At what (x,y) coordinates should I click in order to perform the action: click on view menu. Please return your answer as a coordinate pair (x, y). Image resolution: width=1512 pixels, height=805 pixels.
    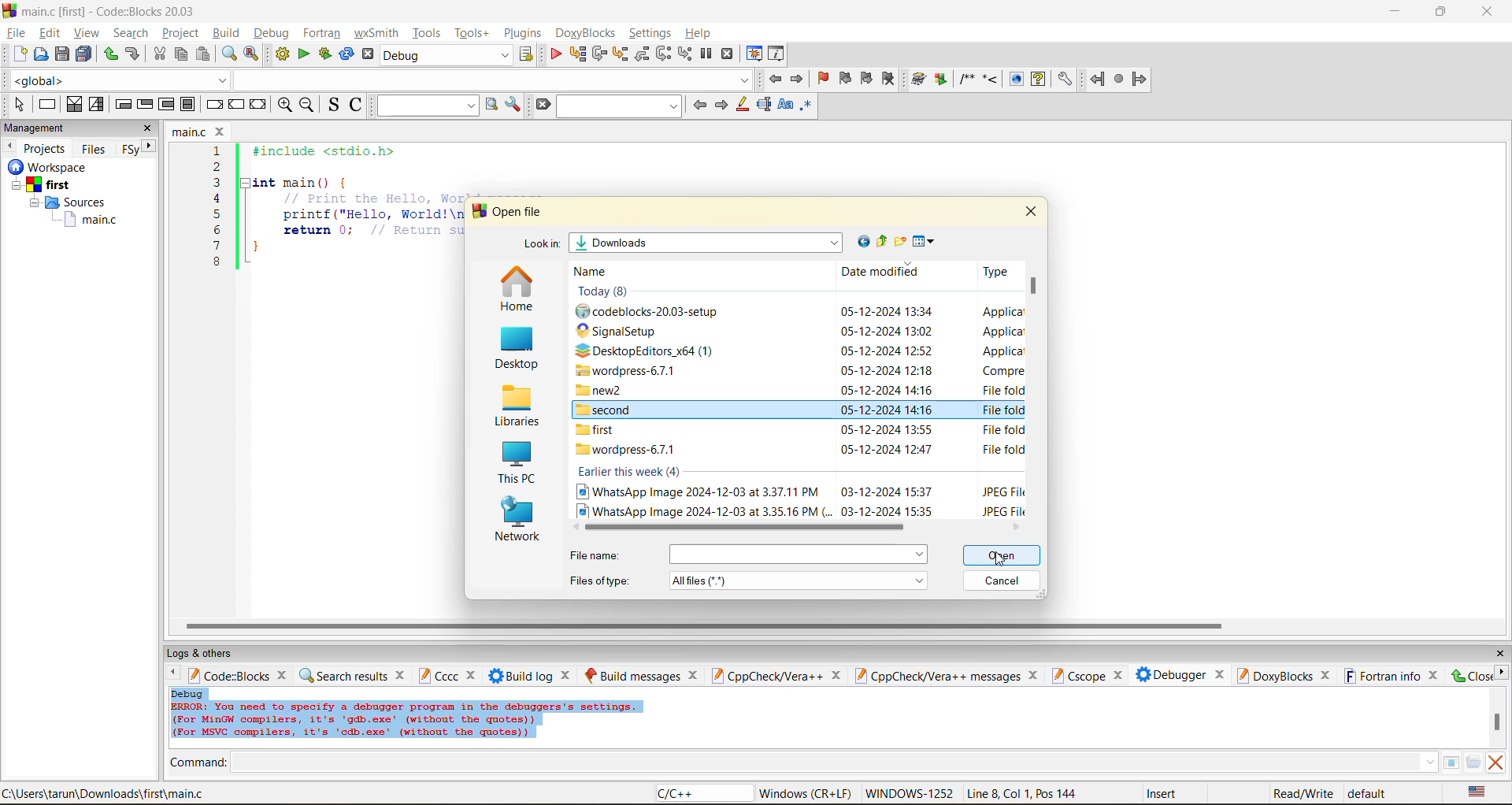
    Looking at the image, I should click on (926, 242).